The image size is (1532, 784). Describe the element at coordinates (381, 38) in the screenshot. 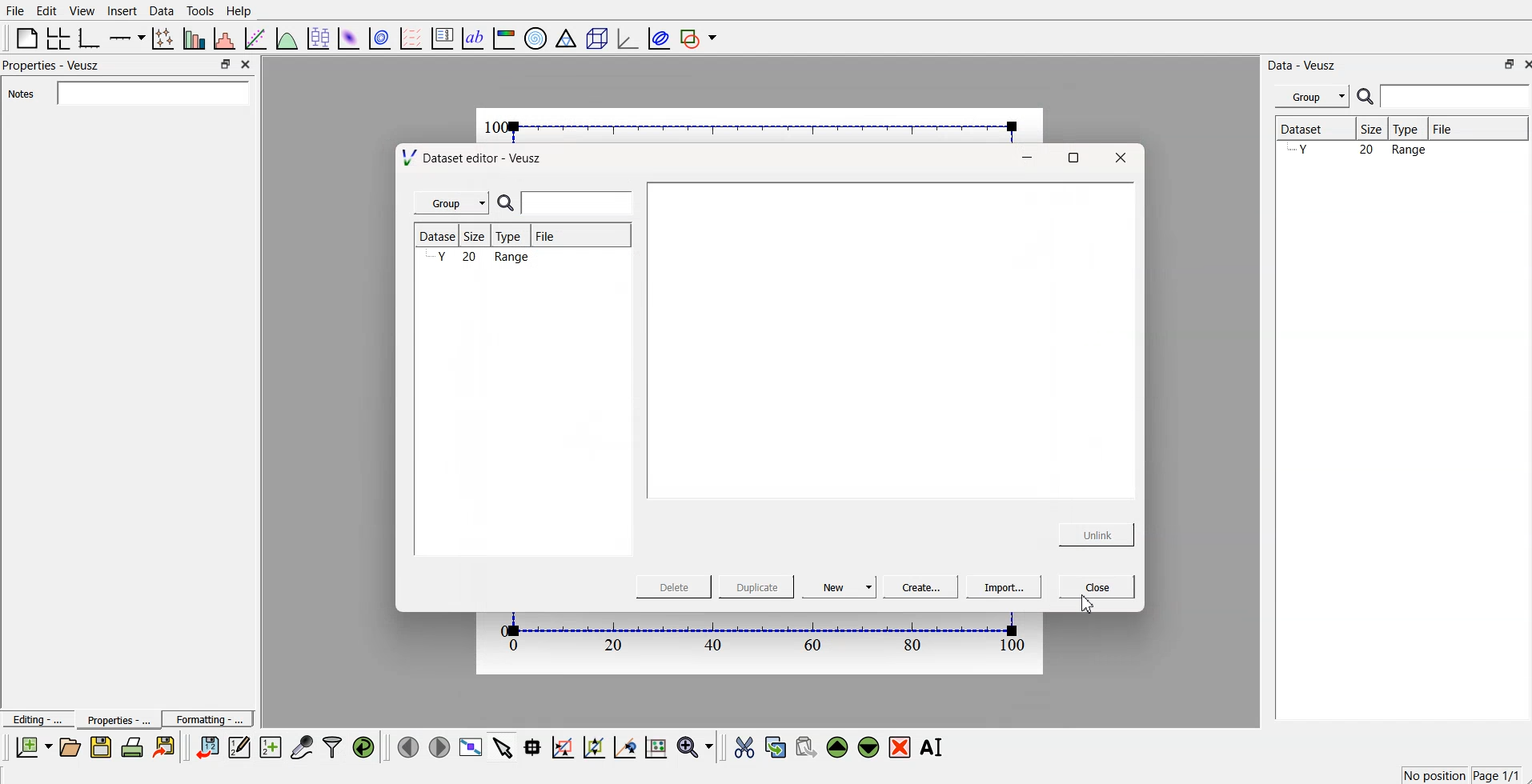

I see `plot a 2D dataset as cont` at that location.